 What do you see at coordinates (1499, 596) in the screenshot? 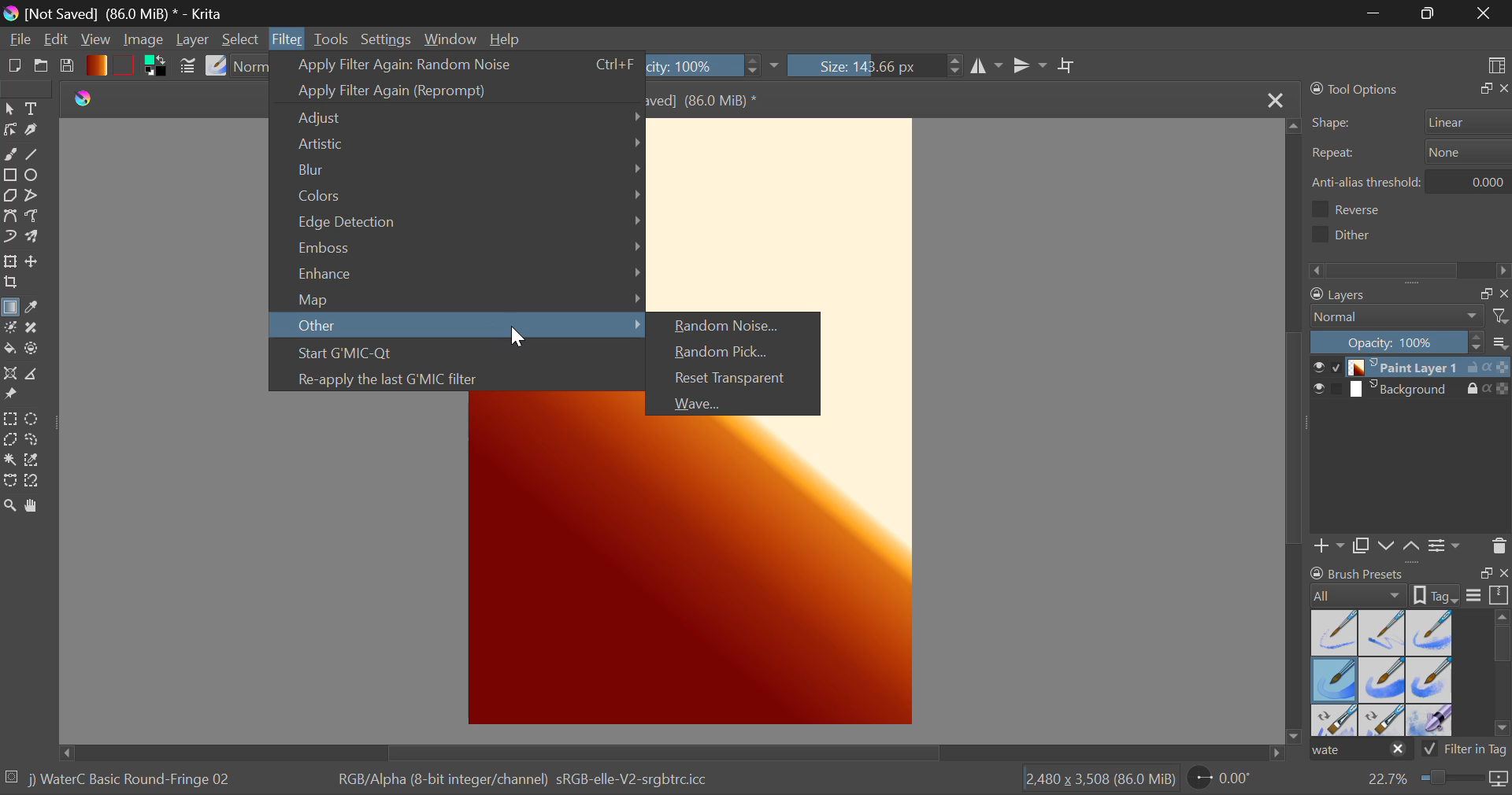
I see `scale` at bounding box center [1499, 596].